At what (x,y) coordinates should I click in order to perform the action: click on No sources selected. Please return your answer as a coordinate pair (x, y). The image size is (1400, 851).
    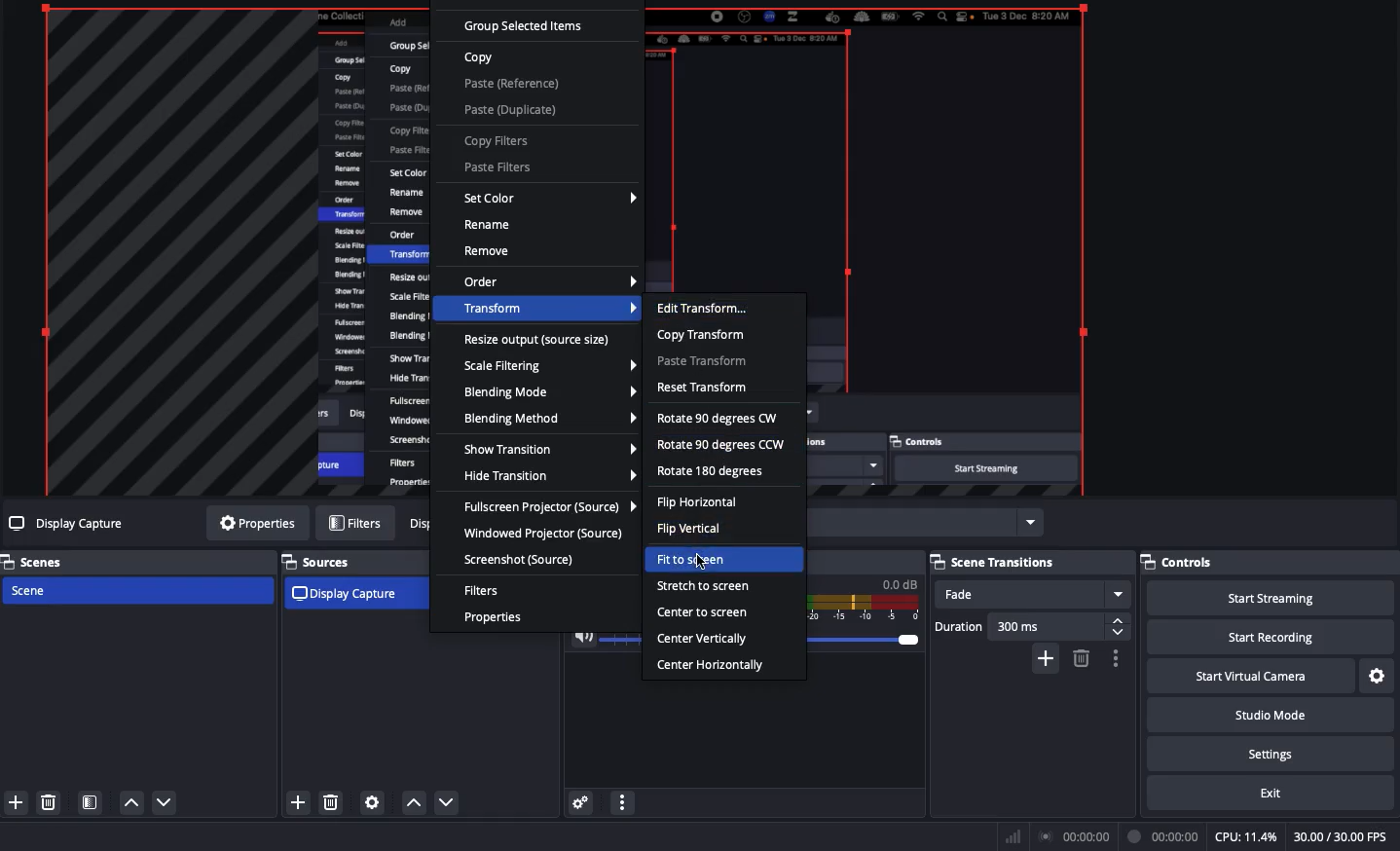
    Looking at the image, I should click on (67, 524).